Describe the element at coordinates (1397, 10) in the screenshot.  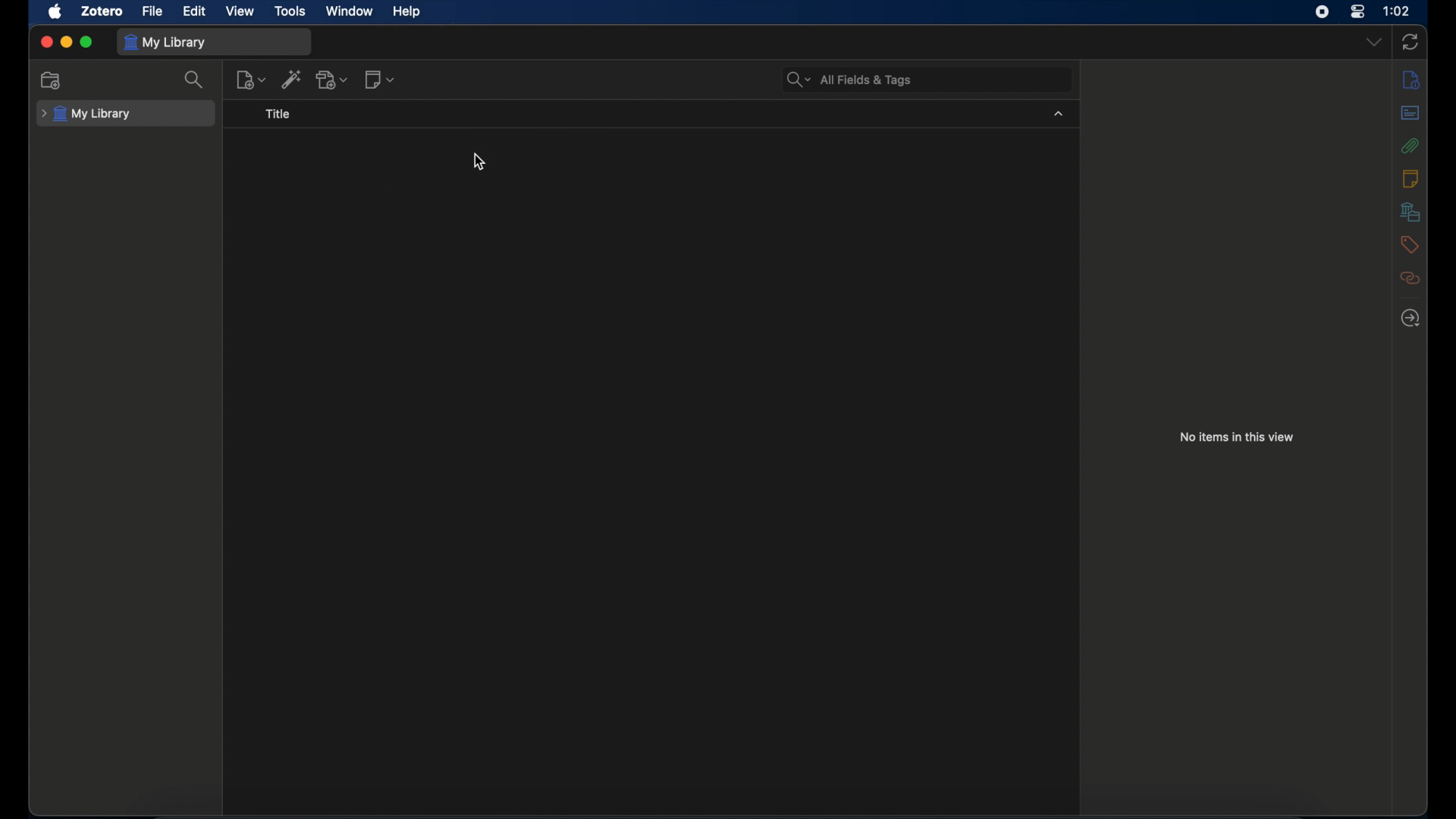
I see `time` at that location.